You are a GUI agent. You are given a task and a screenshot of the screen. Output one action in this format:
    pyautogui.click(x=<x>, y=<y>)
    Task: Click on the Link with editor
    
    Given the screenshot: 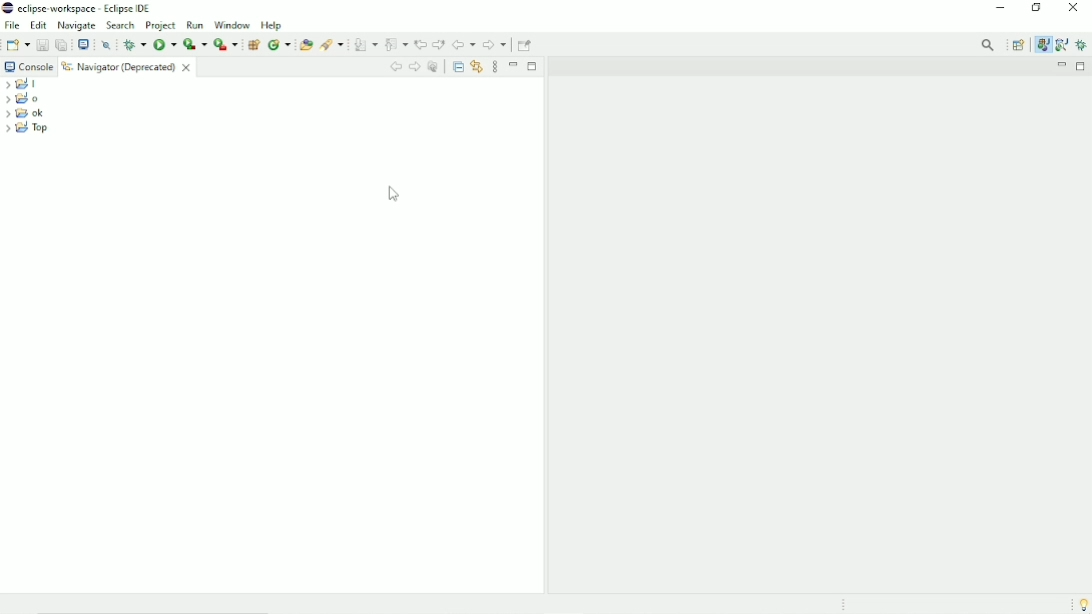 What is the action you would take?
    pyautogui.click(x=478, y=66)
    